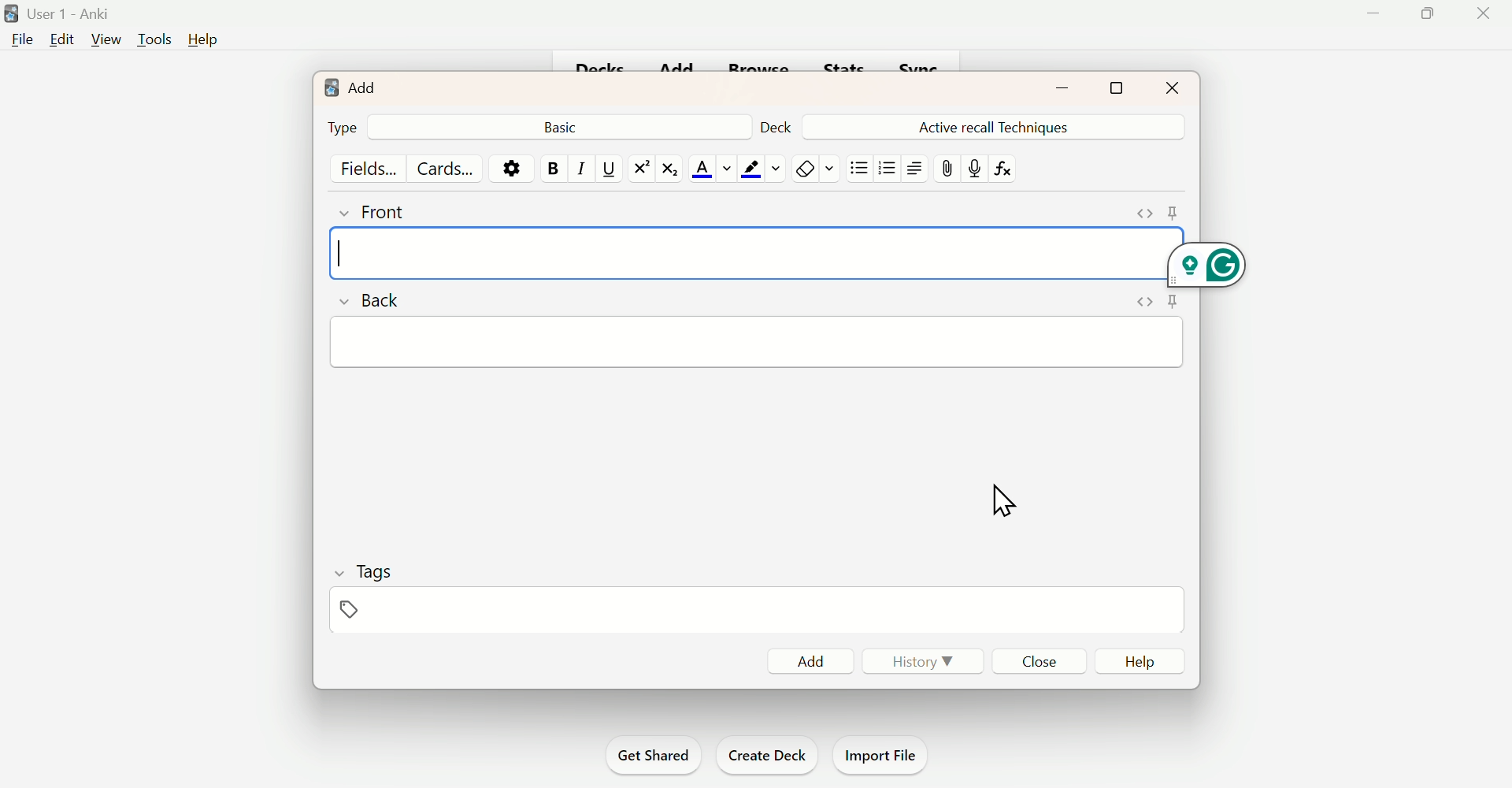 This screenshot has width=1512, height=788. I want to click on View, so click(102, 40).